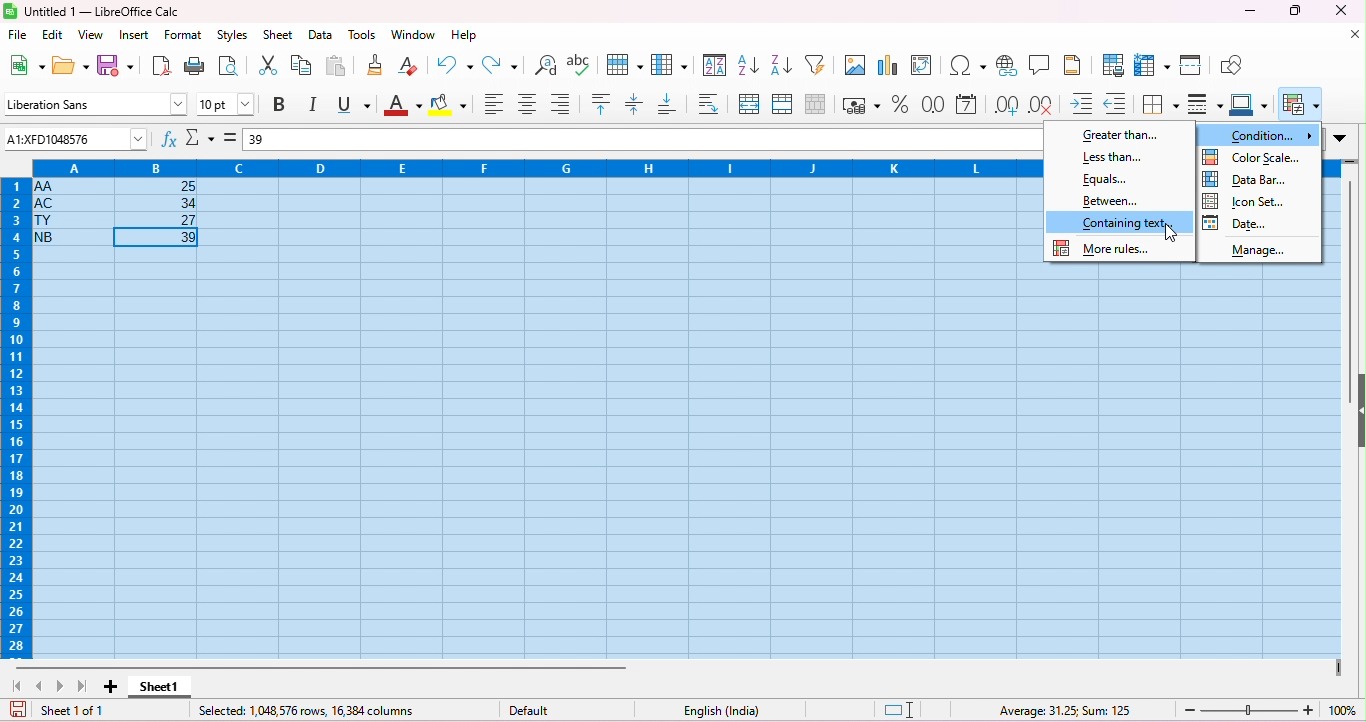  I want to click on font style, so click(94, 103).